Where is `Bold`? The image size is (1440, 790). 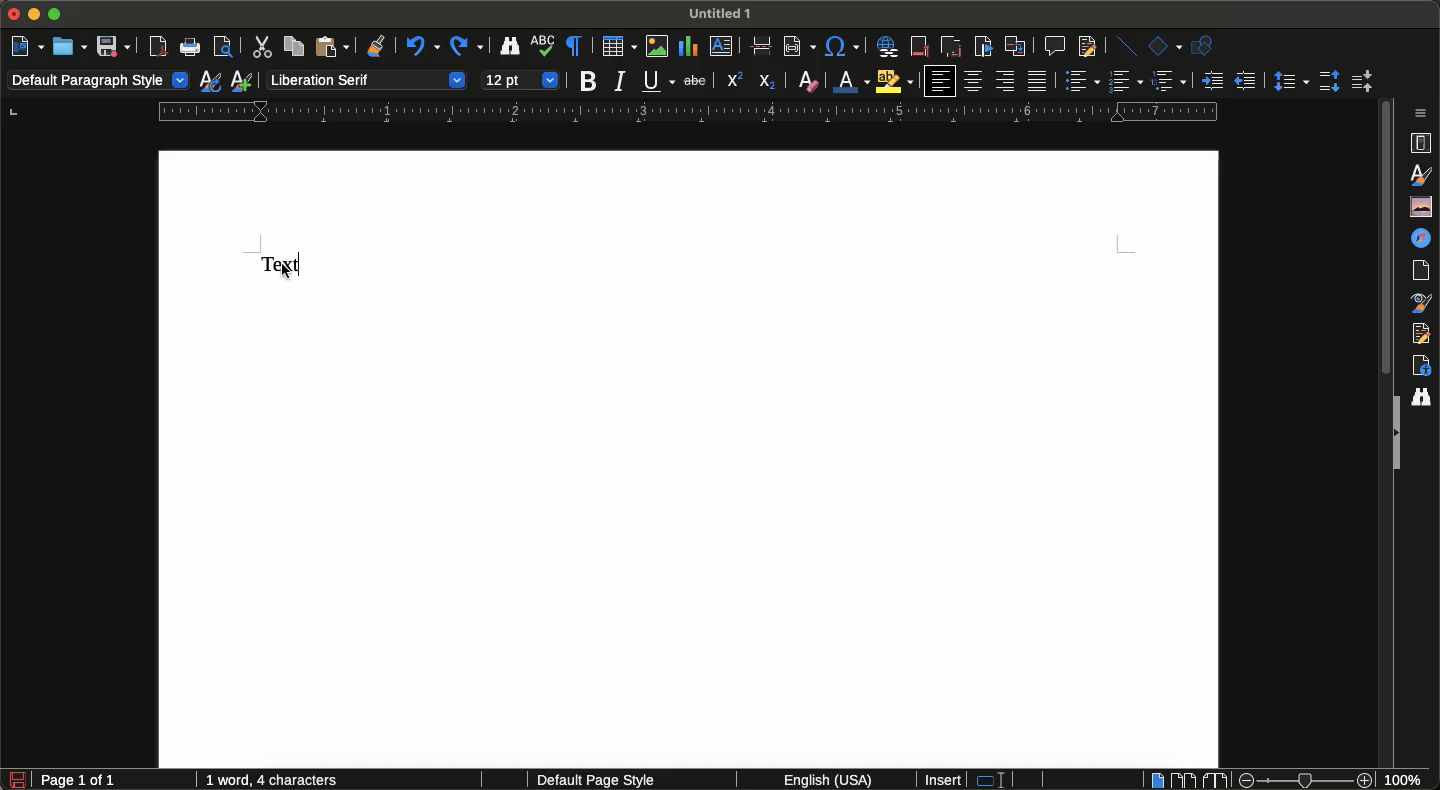 Bold is located at coordinates (589, 82).